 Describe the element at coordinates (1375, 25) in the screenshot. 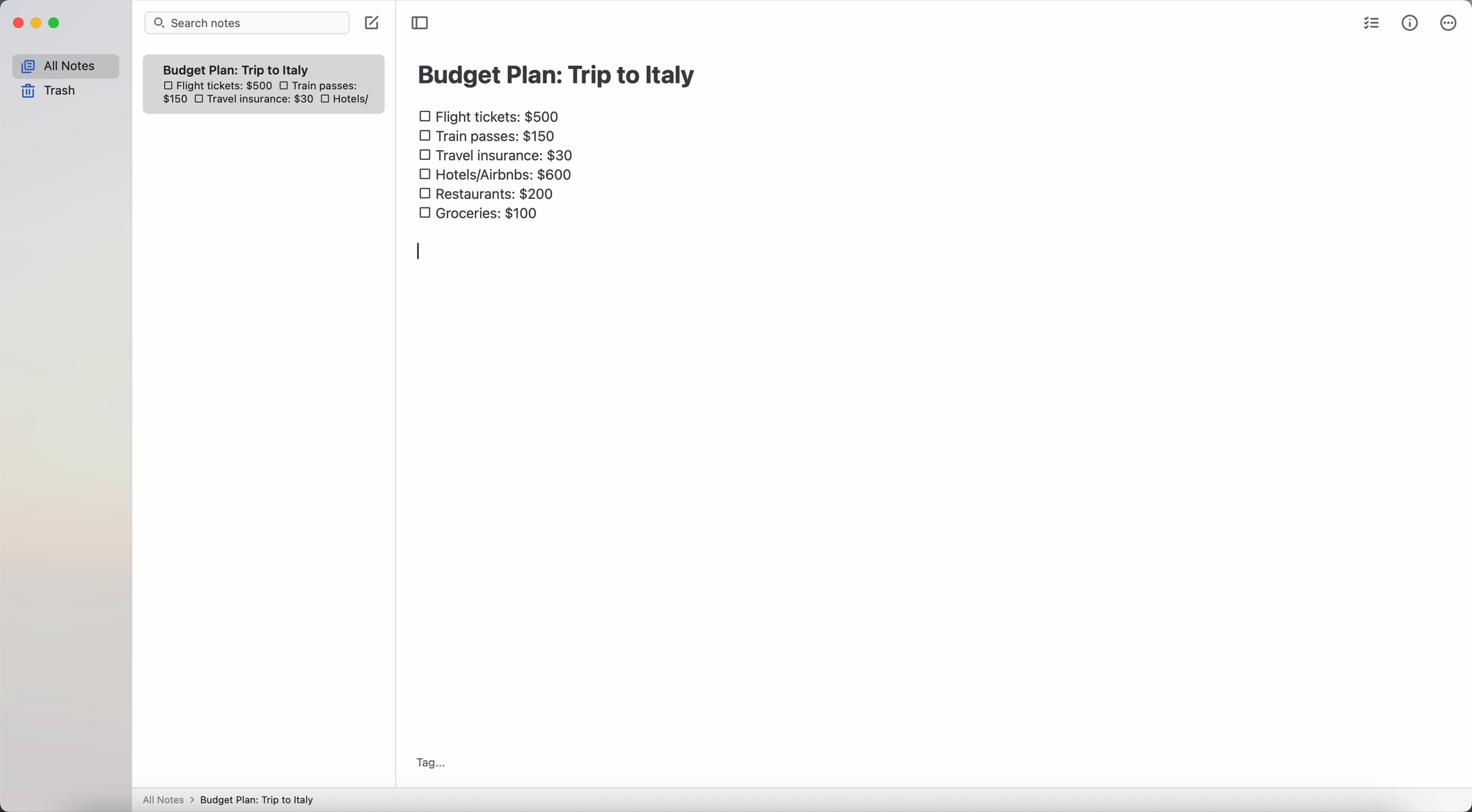

I see `check list` at that location.